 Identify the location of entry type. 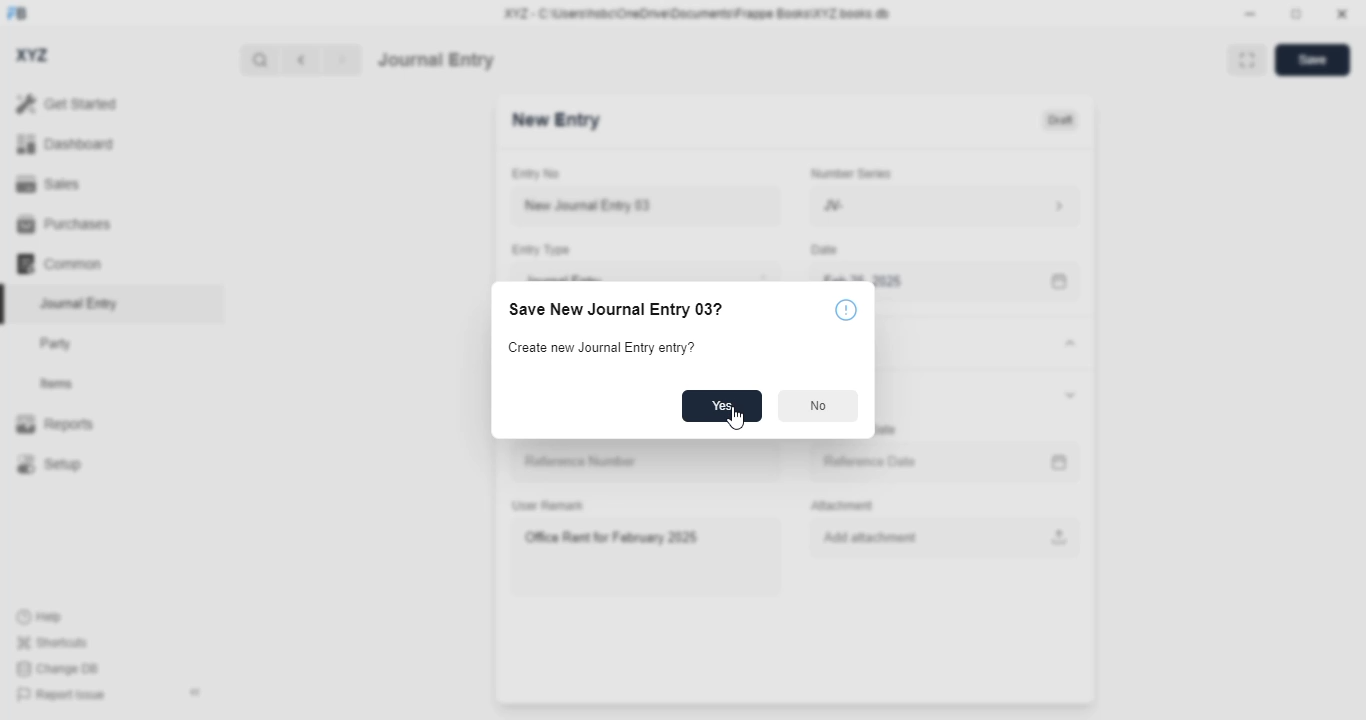
(539, 249).